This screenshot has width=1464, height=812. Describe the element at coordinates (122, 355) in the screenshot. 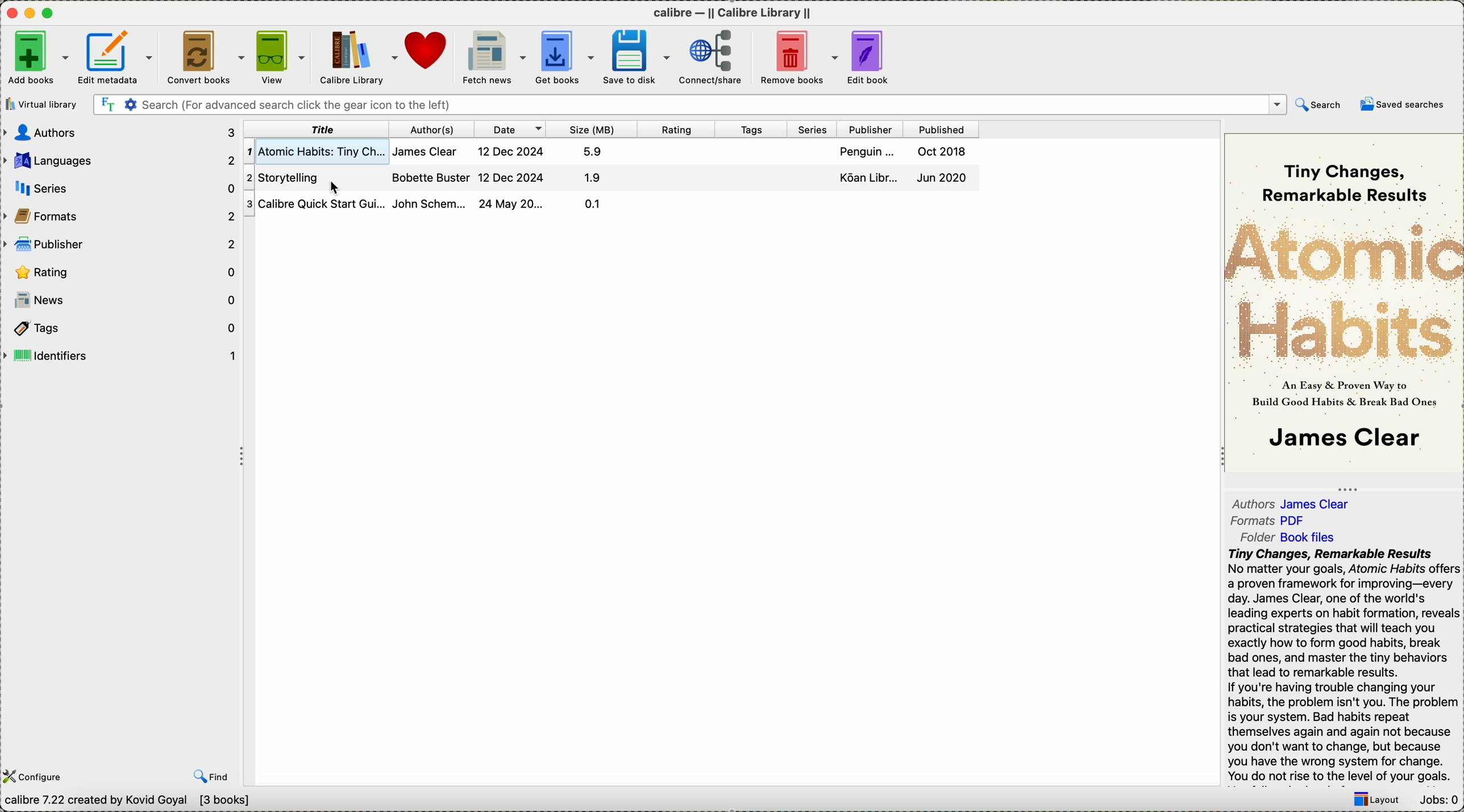

I see `identifiers` at that location.